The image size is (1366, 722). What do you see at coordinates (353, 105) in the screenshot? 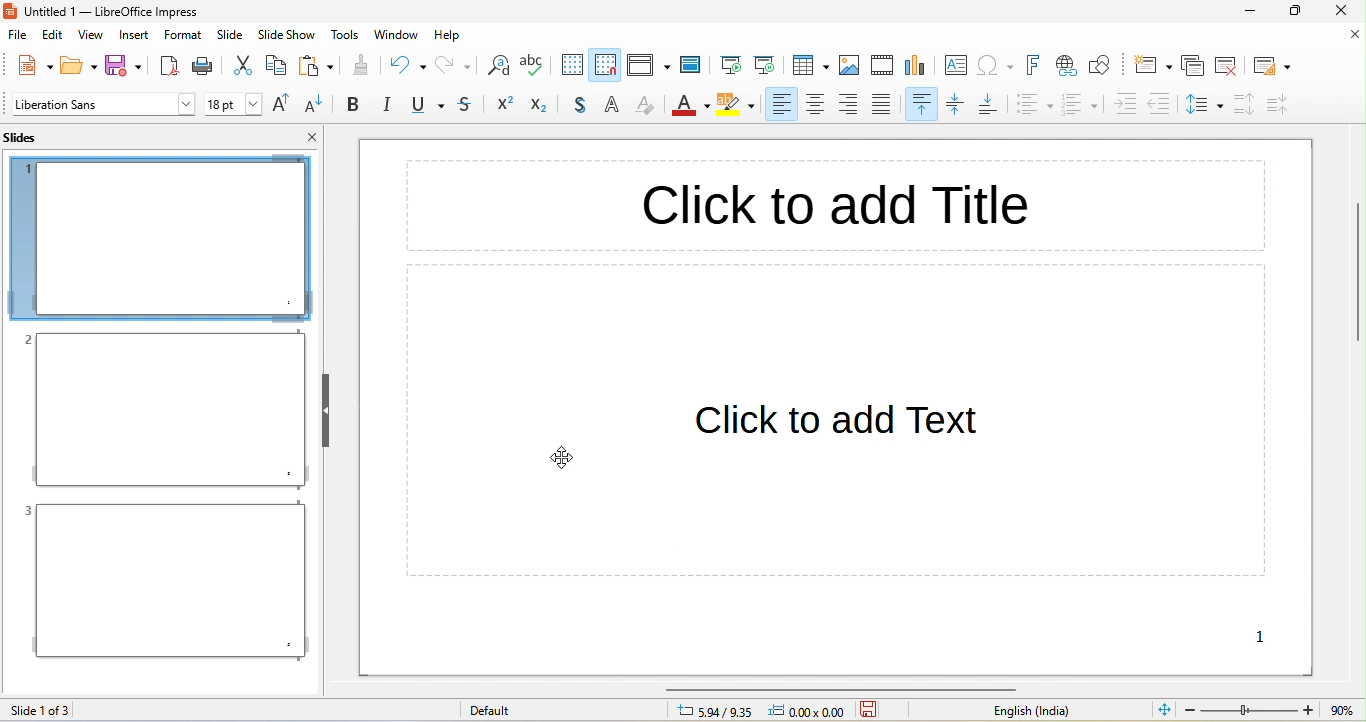
I see `bold` at bounding box center [353, 105].